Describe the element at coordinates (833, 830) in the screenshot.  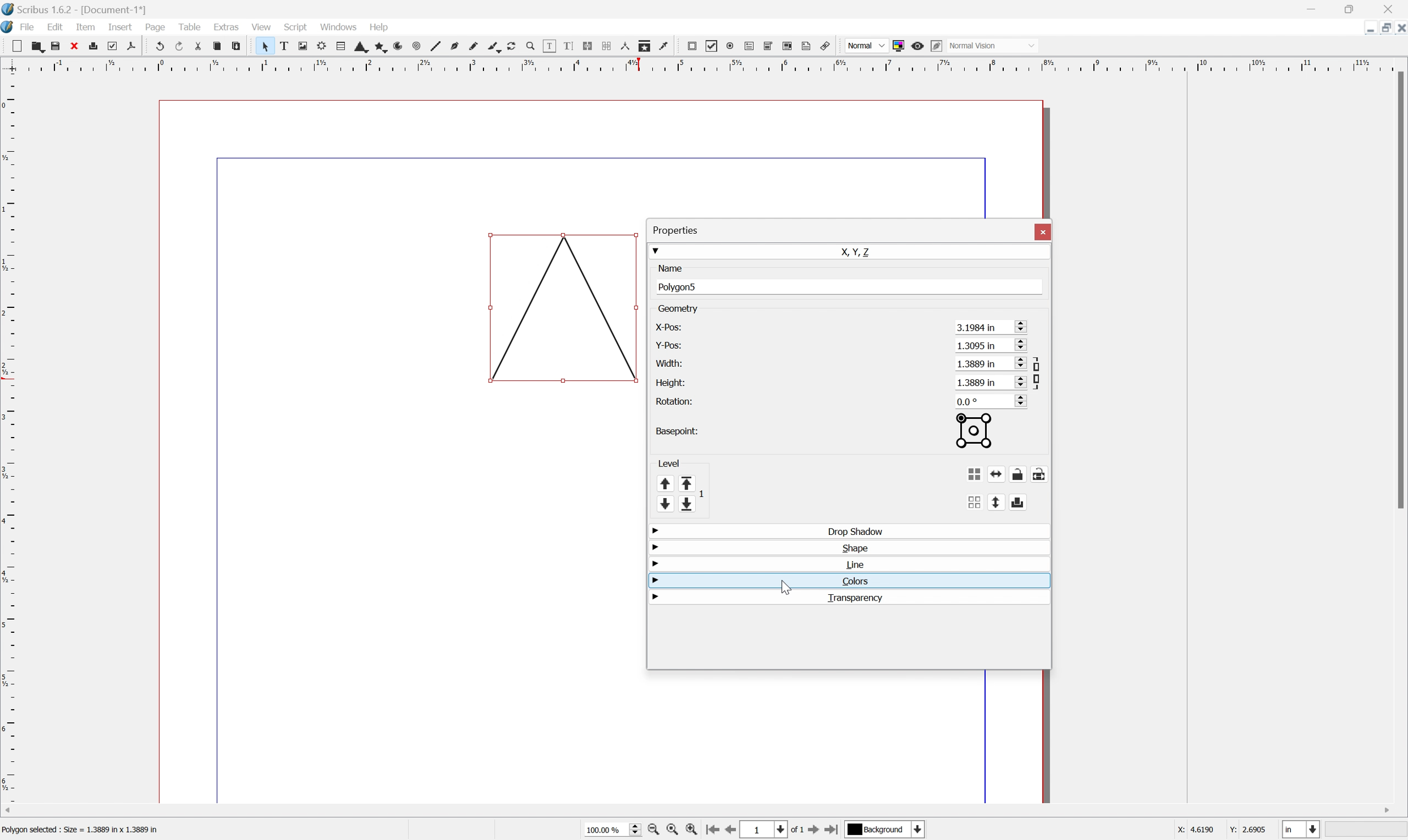
I see `Go to last page` at that location.